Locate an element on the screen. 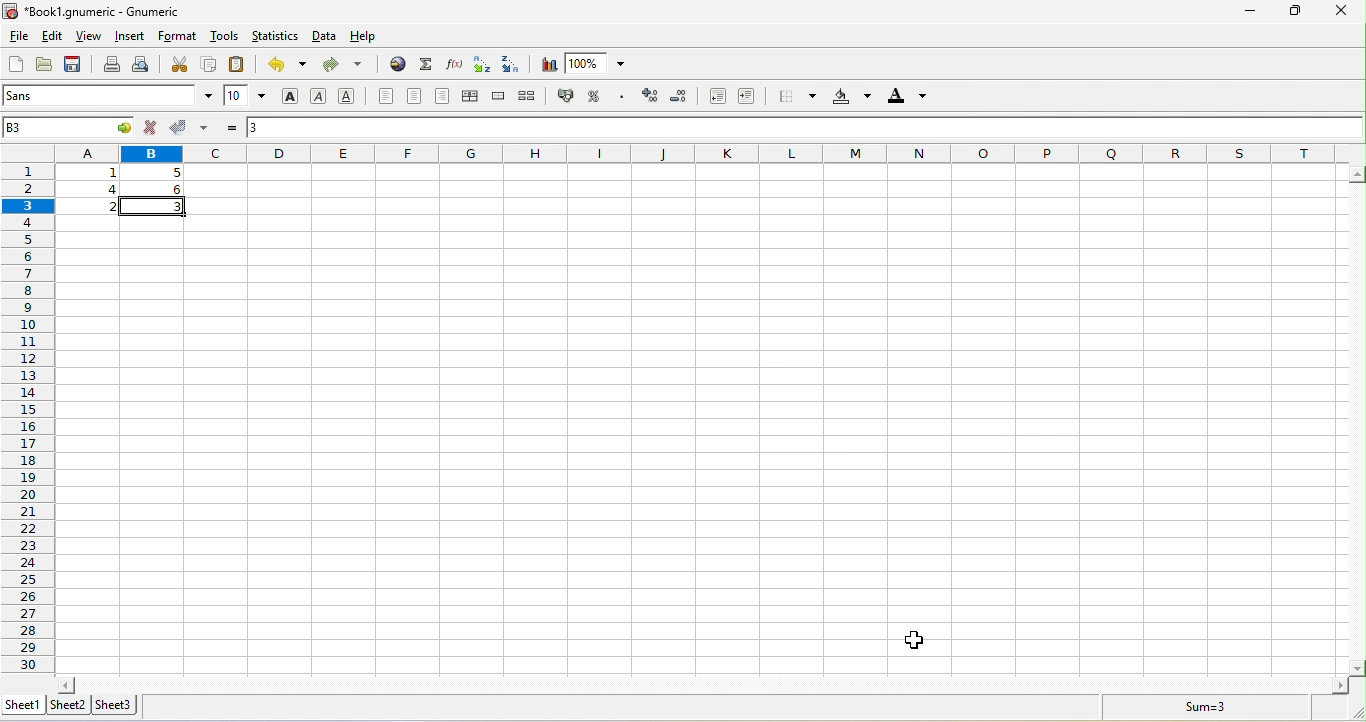 This screenshot has width=1366, height=722. print is located at coordinates (111, 66).